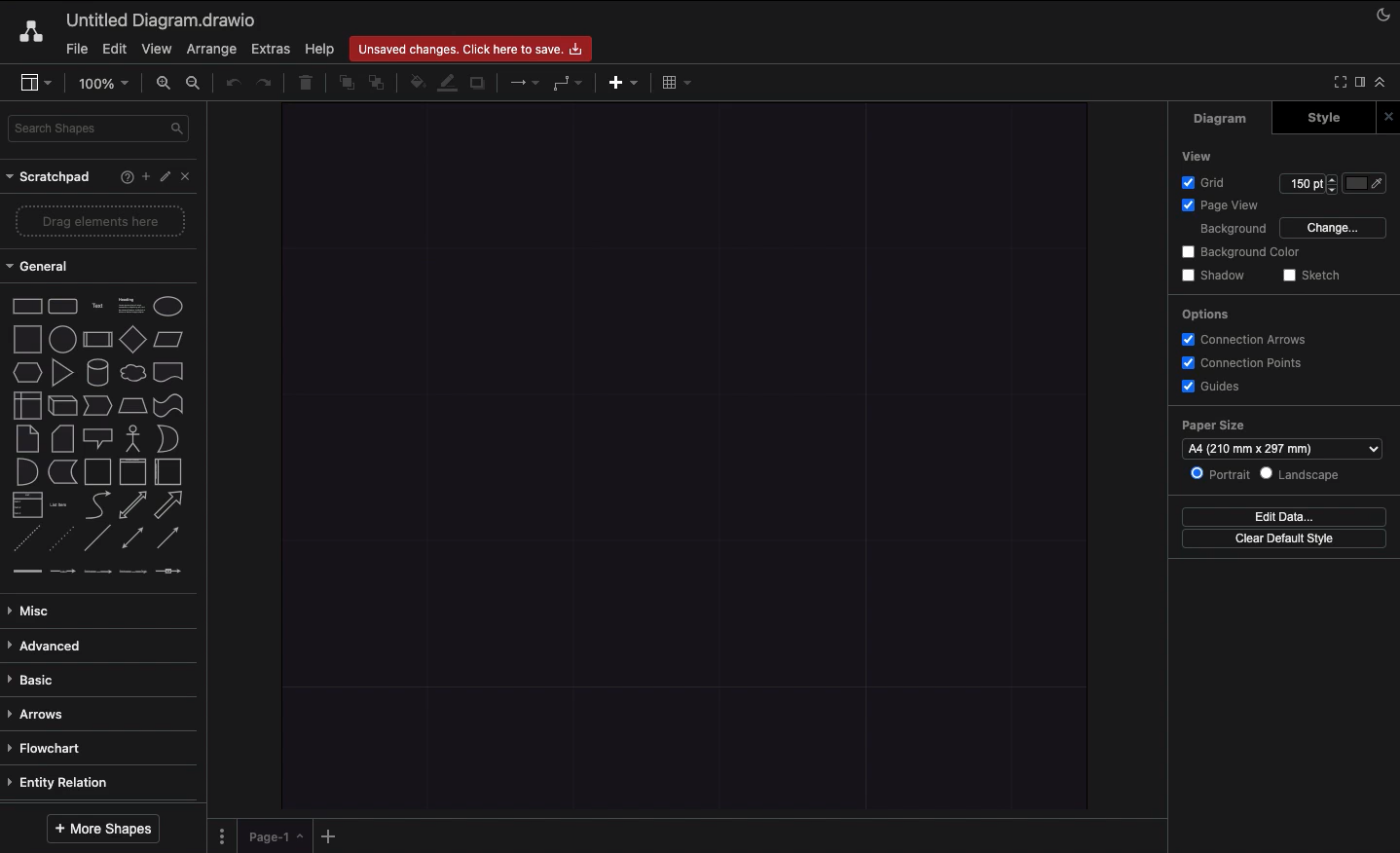 The width and height of the screenshot is (1400, 853). Describe the element at coordinates (102, 830) in the screenshot. I see `More shapes` at that location.